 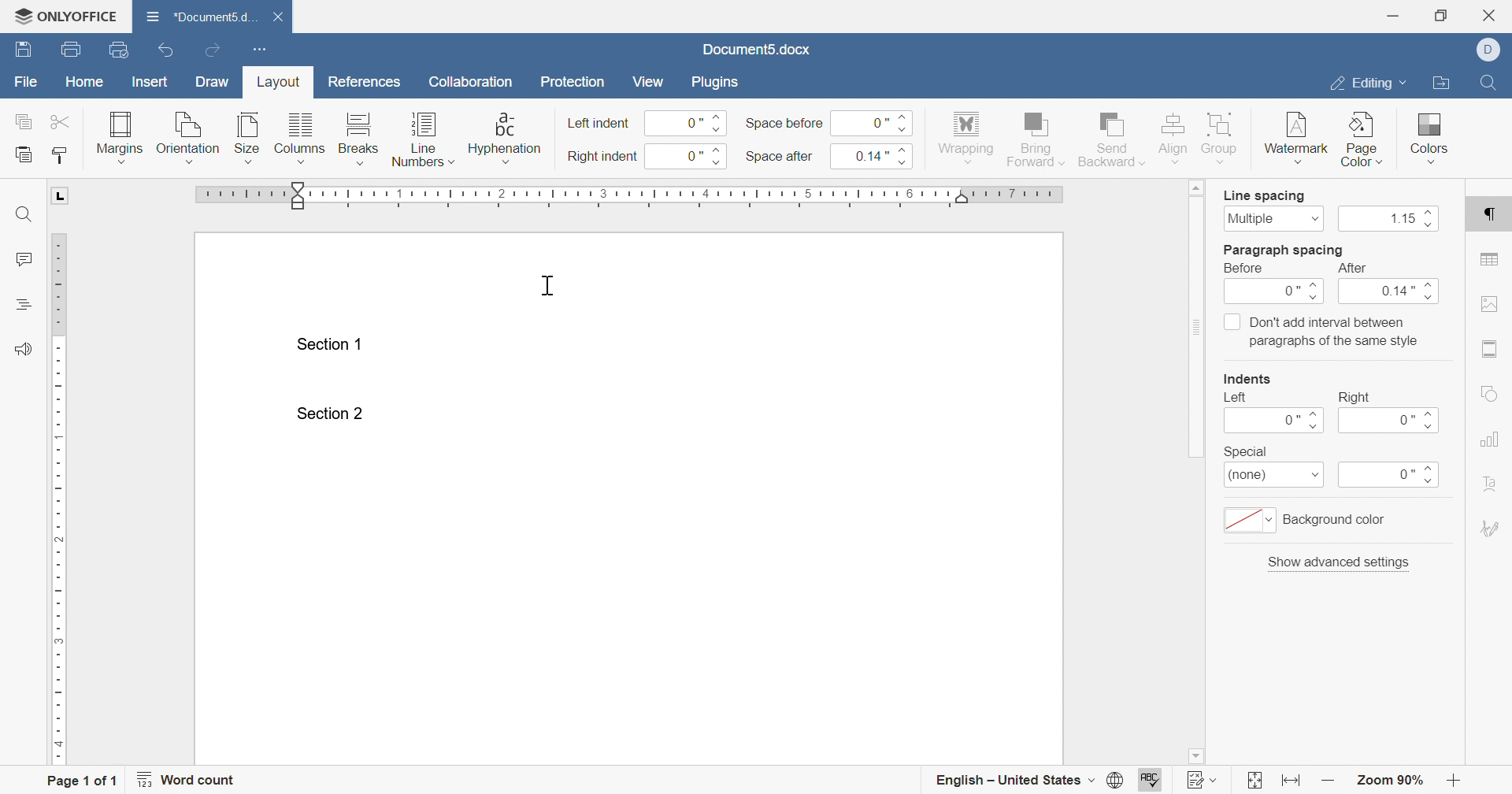 What do you see at coordinates (120, 136) in the screenshot?
I see `margins` at bounding box center [120, 136].